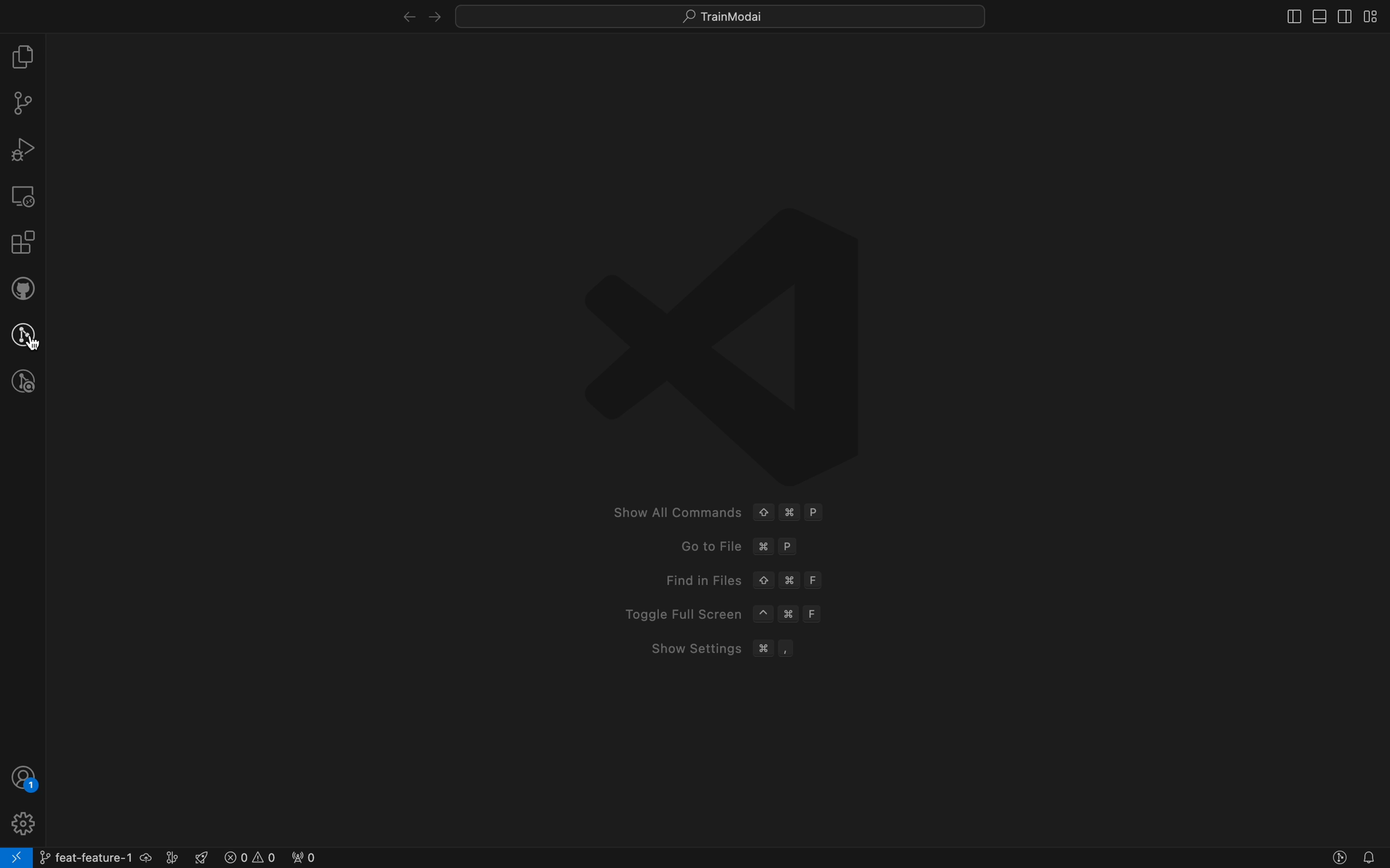 The width and height of the screenshot is (1390, 868). I want to click on Settings , so click(22, 823).